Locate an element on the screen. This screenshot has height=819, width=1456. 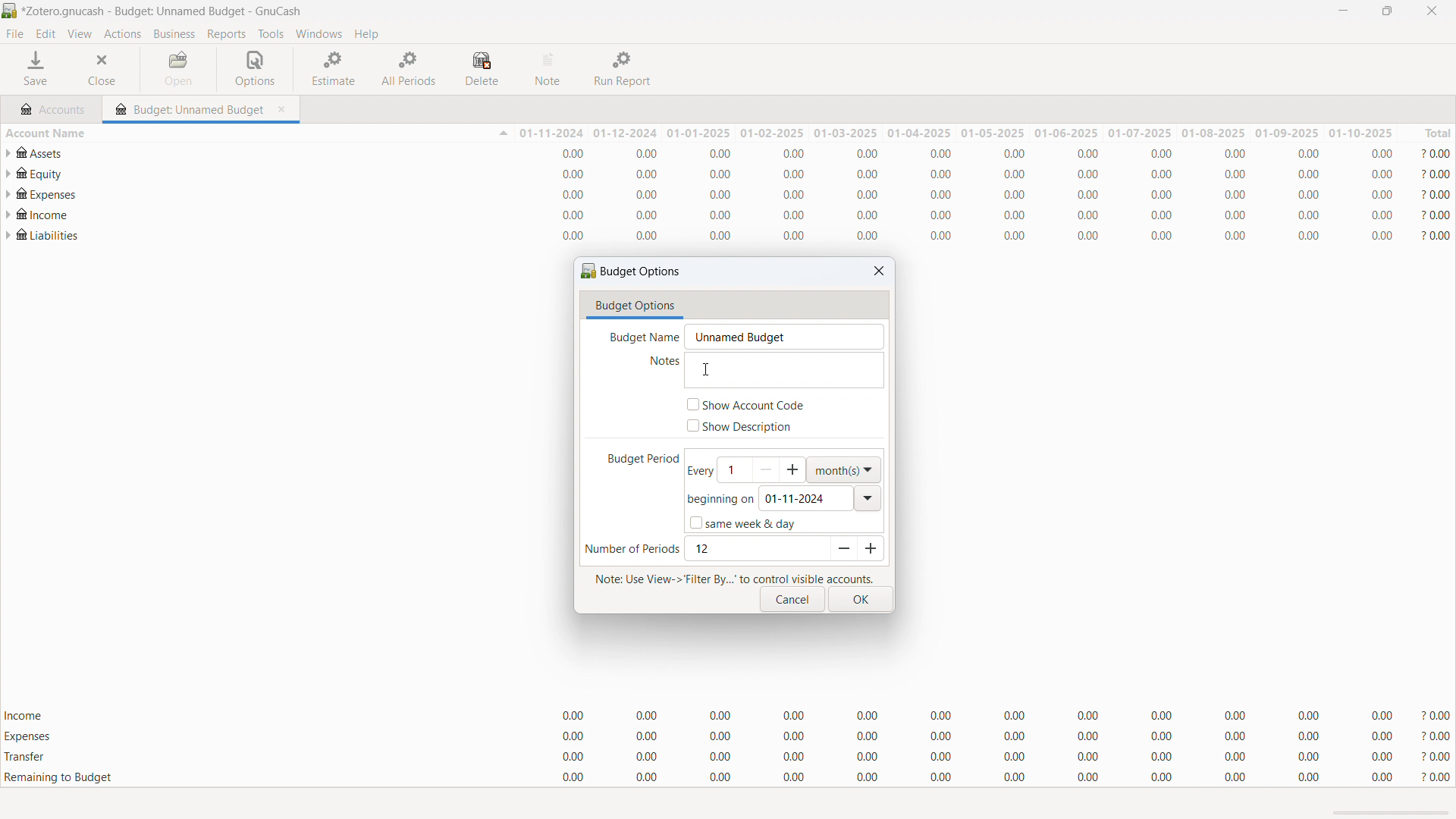
transfer total is located at coordinates (728, 756).